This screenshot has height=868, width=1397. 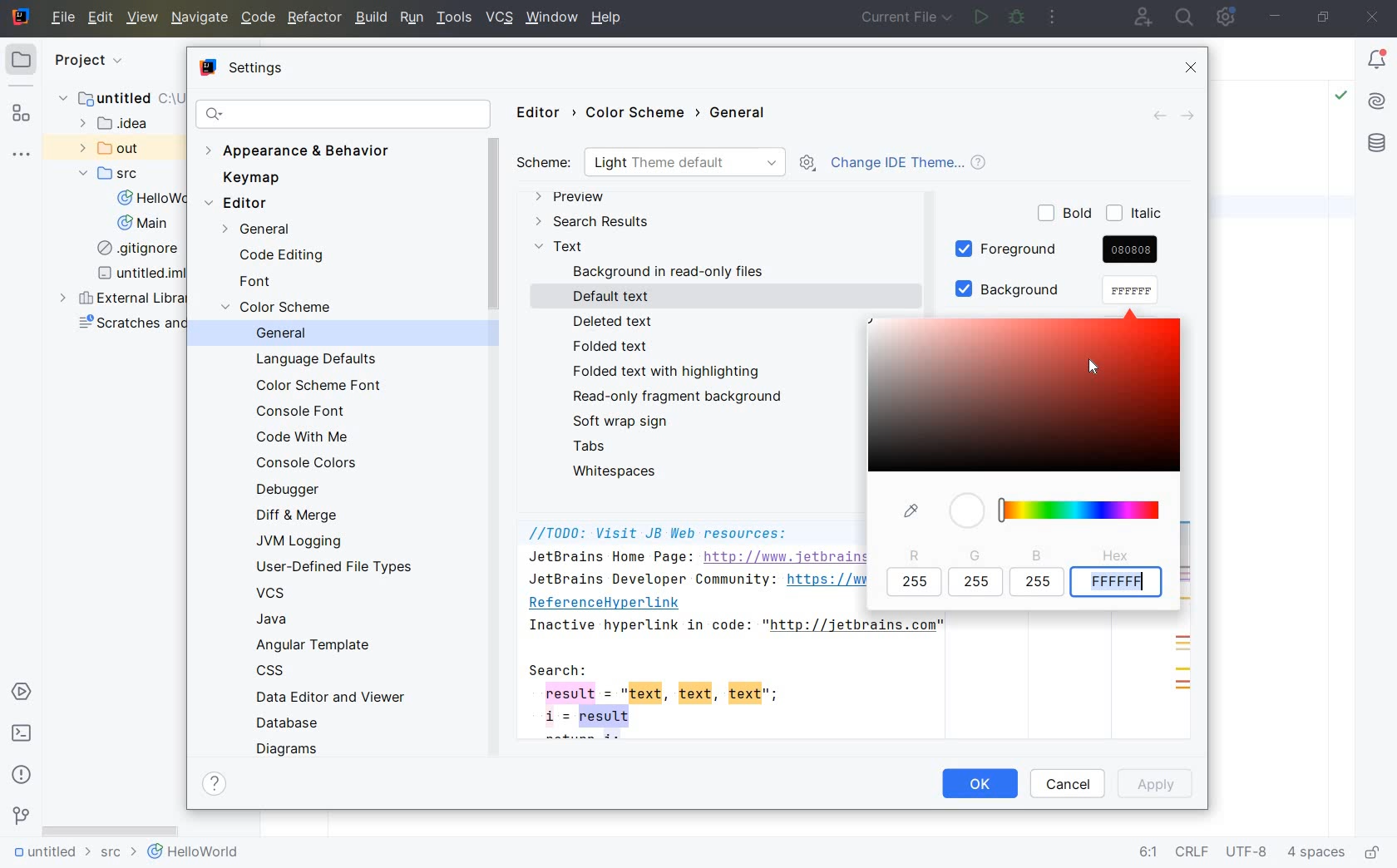 I want to click on ITALIC, so click(x=1137, y=215).